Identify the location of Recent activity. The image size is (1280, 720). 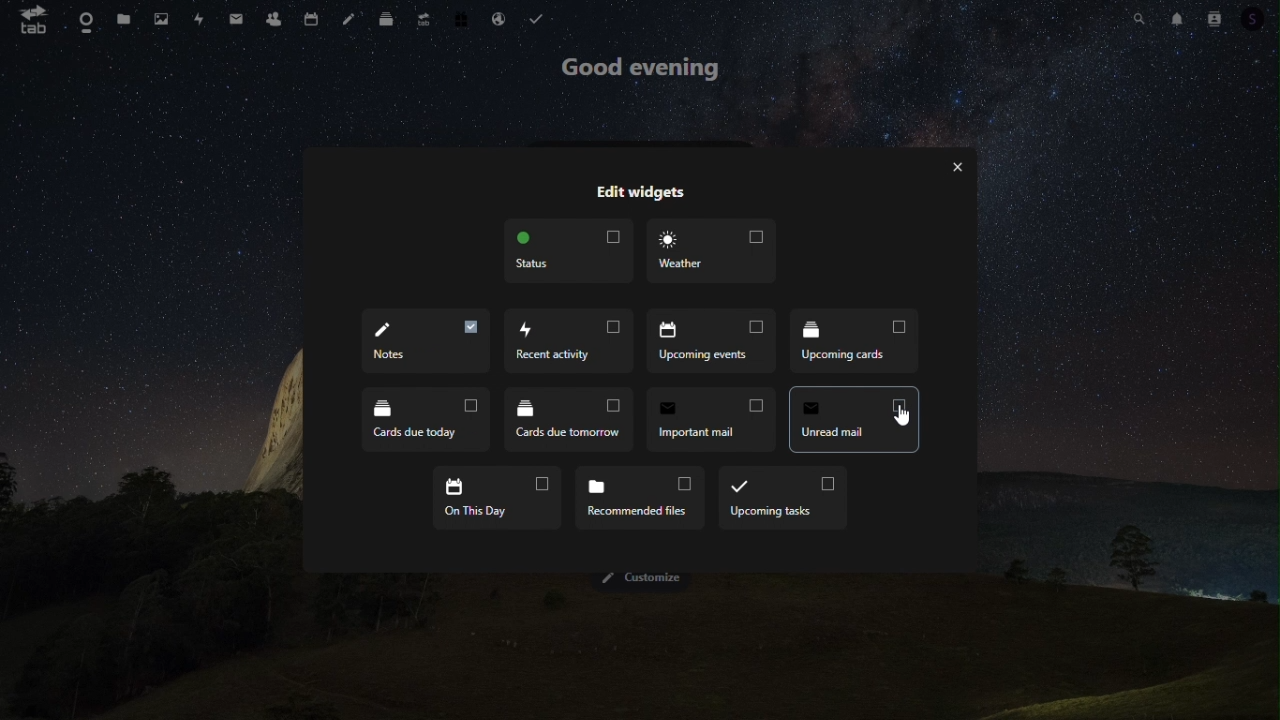
(429, 340).